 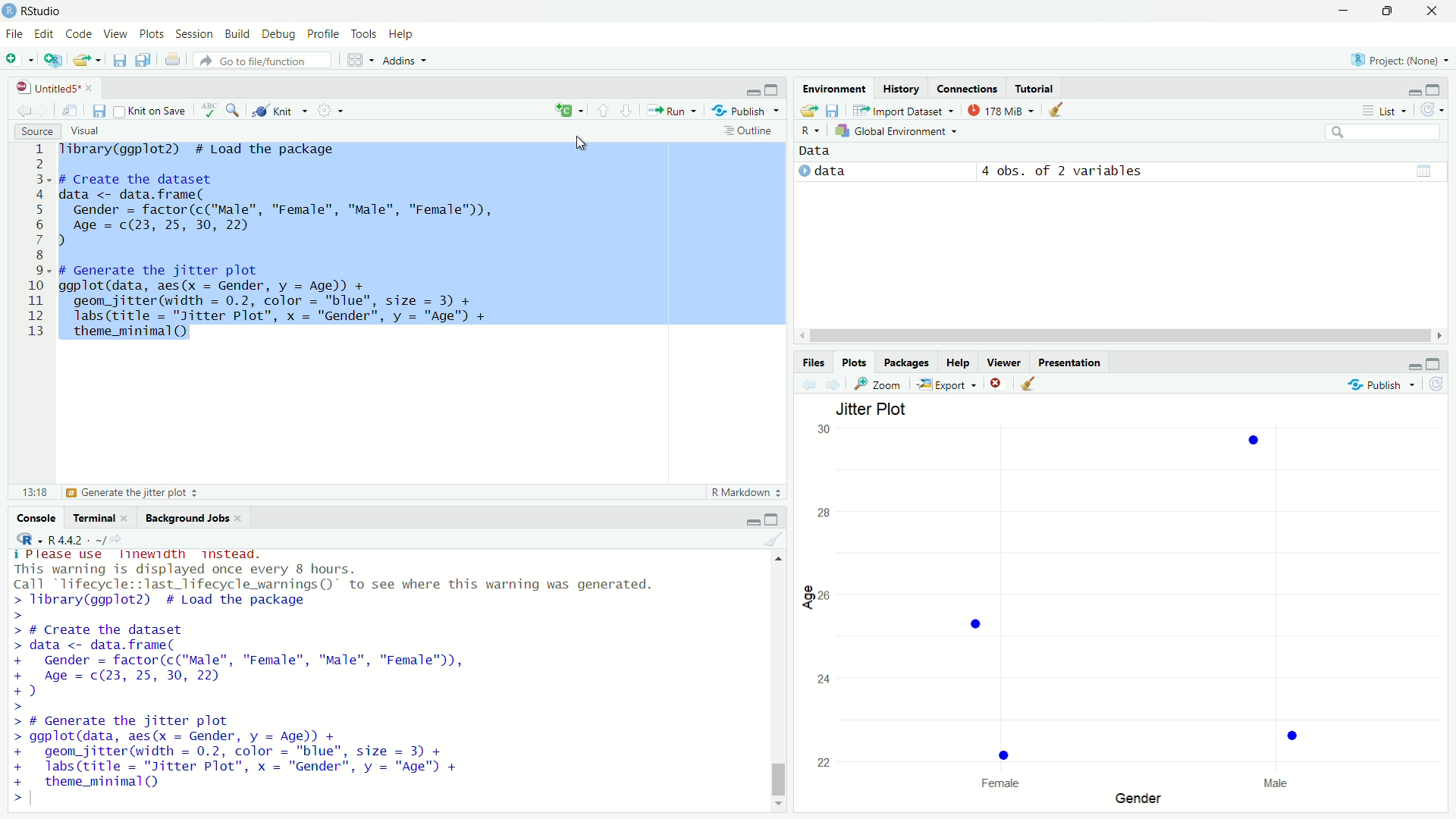 What do you see at coordinates (751, 520) in the screenshot?
I see `minimize` at bounding box center [751, 520].